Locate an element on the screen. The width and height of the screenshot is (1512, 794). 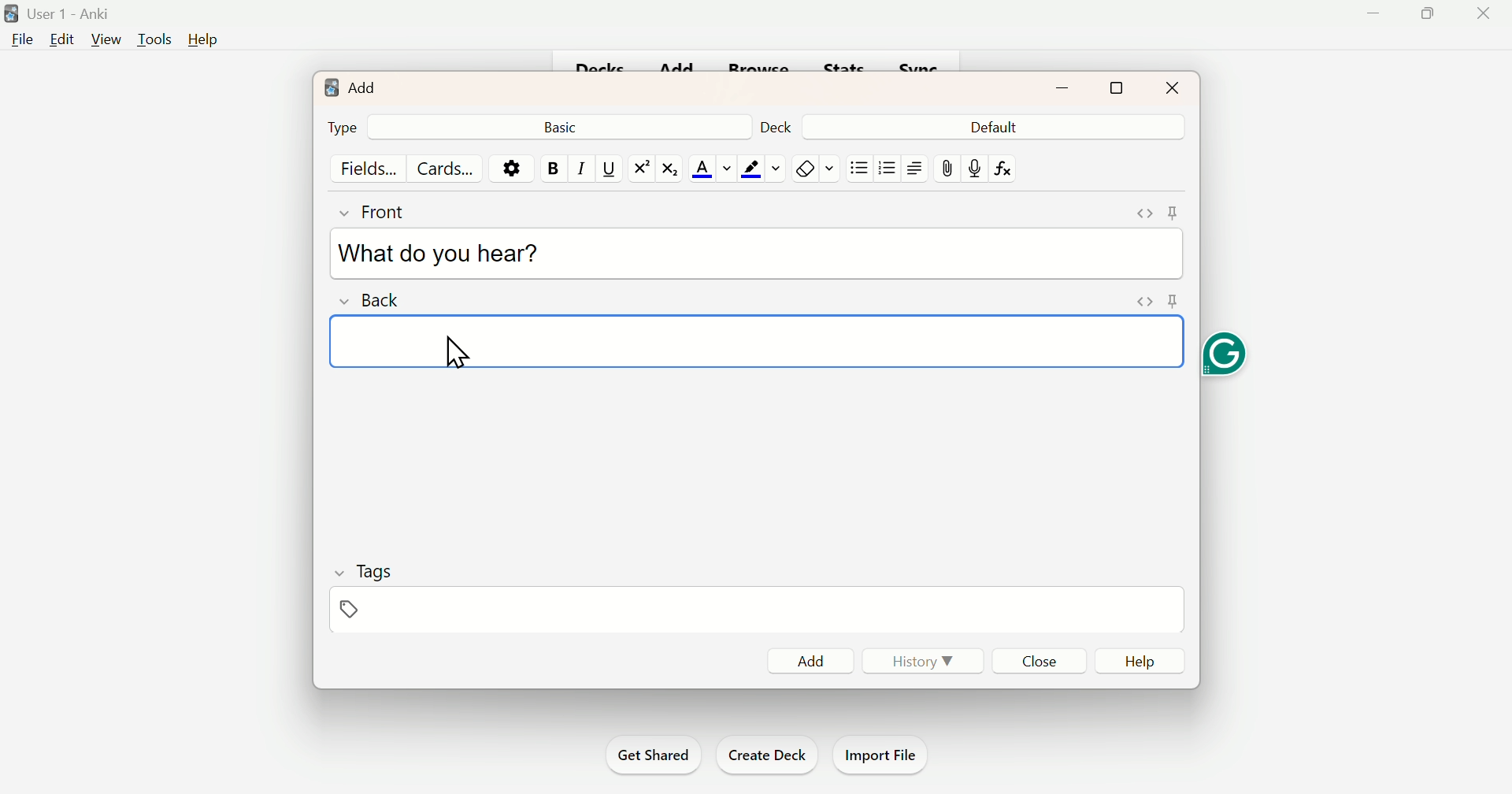
Grammarly is located at coordinates (1228, 356).